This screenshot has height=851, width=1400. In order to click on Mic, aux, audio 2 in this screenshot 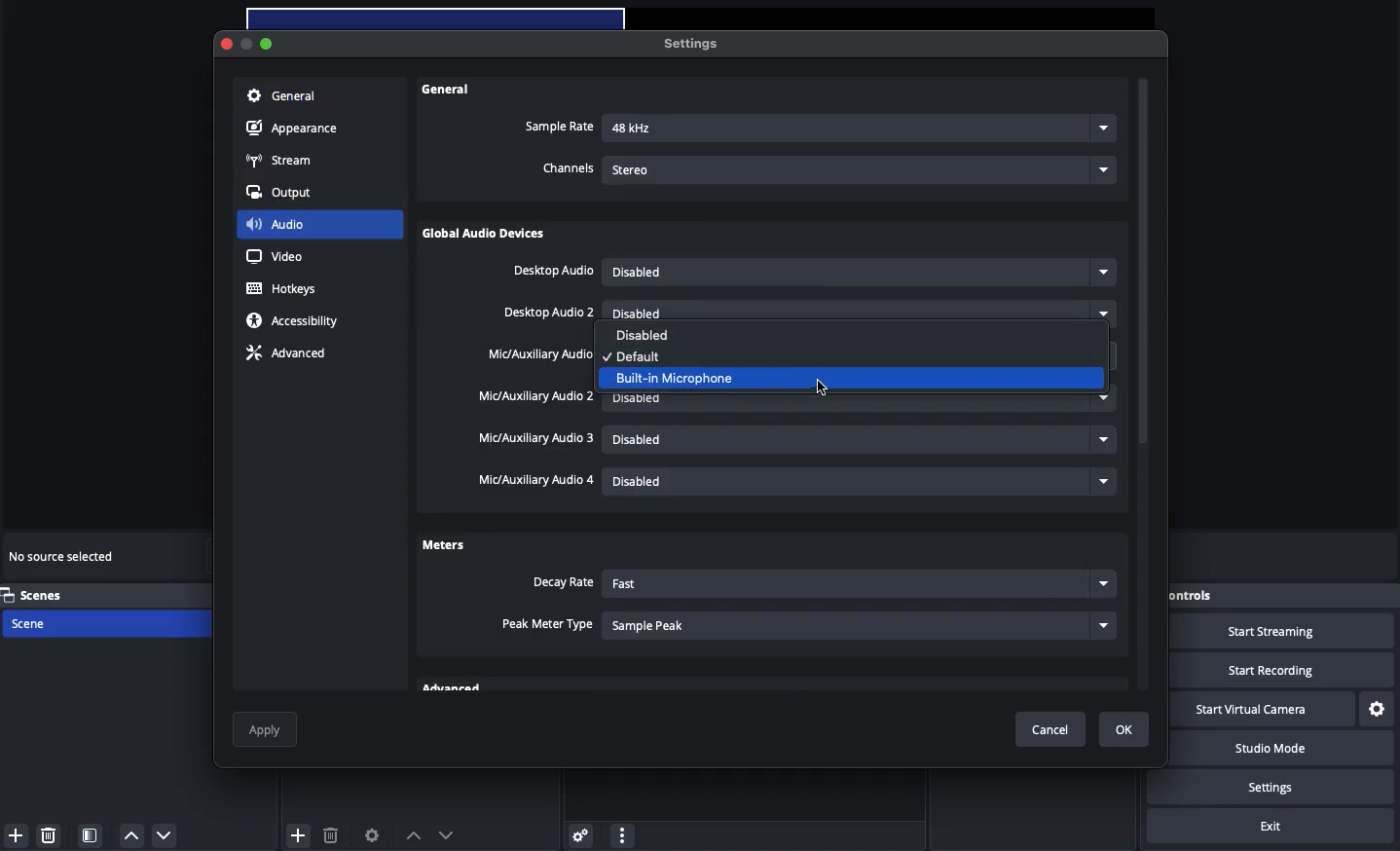, I will do `click(535, 396)`.